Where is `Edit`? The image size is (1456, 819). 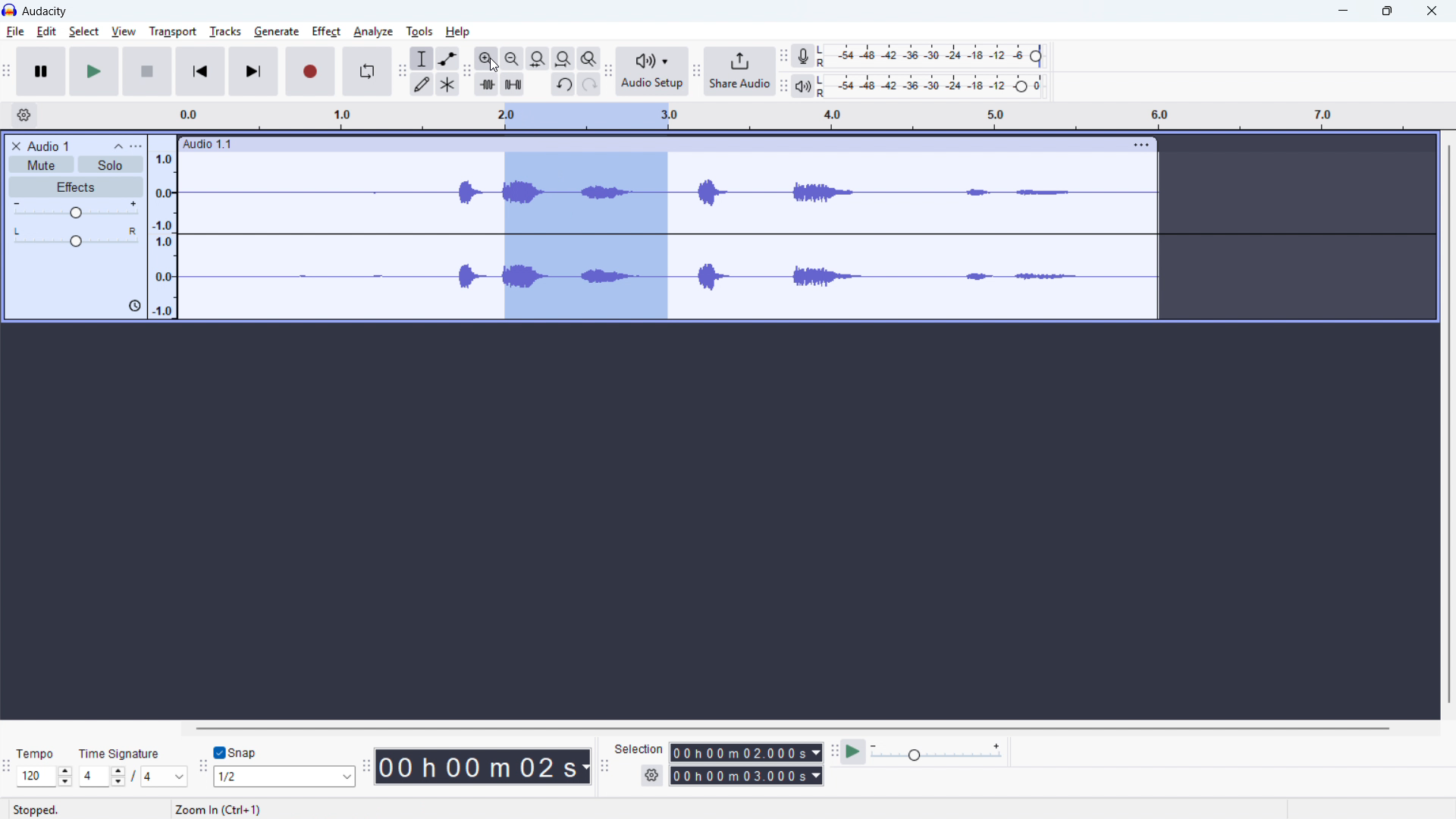 Edit is located at coordinates (45, 32).